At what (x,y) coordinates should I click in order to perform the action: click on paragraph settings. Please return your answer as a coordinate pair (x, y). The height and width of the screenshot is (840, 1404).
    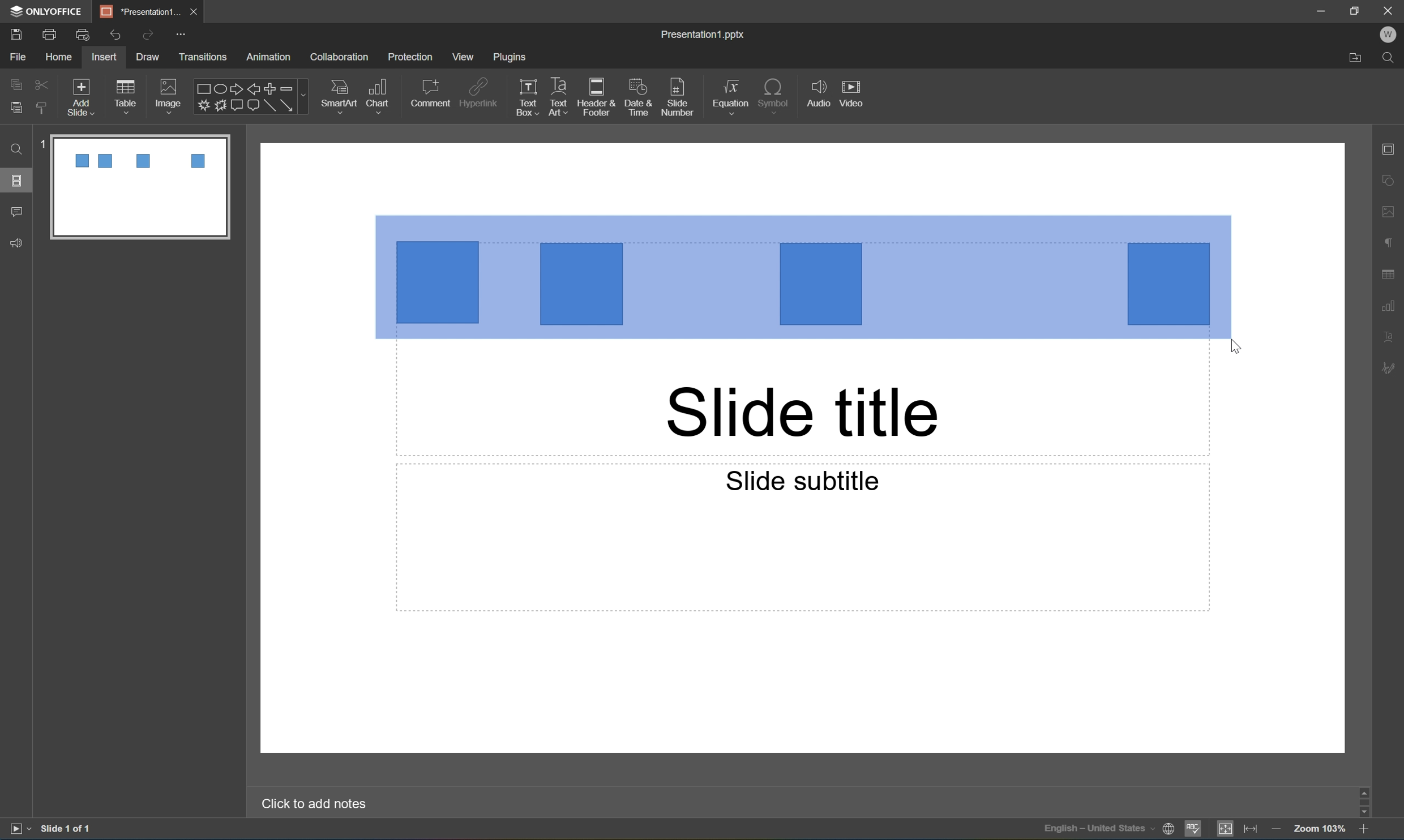
    Looking at the image, I should click on (1393, 242).